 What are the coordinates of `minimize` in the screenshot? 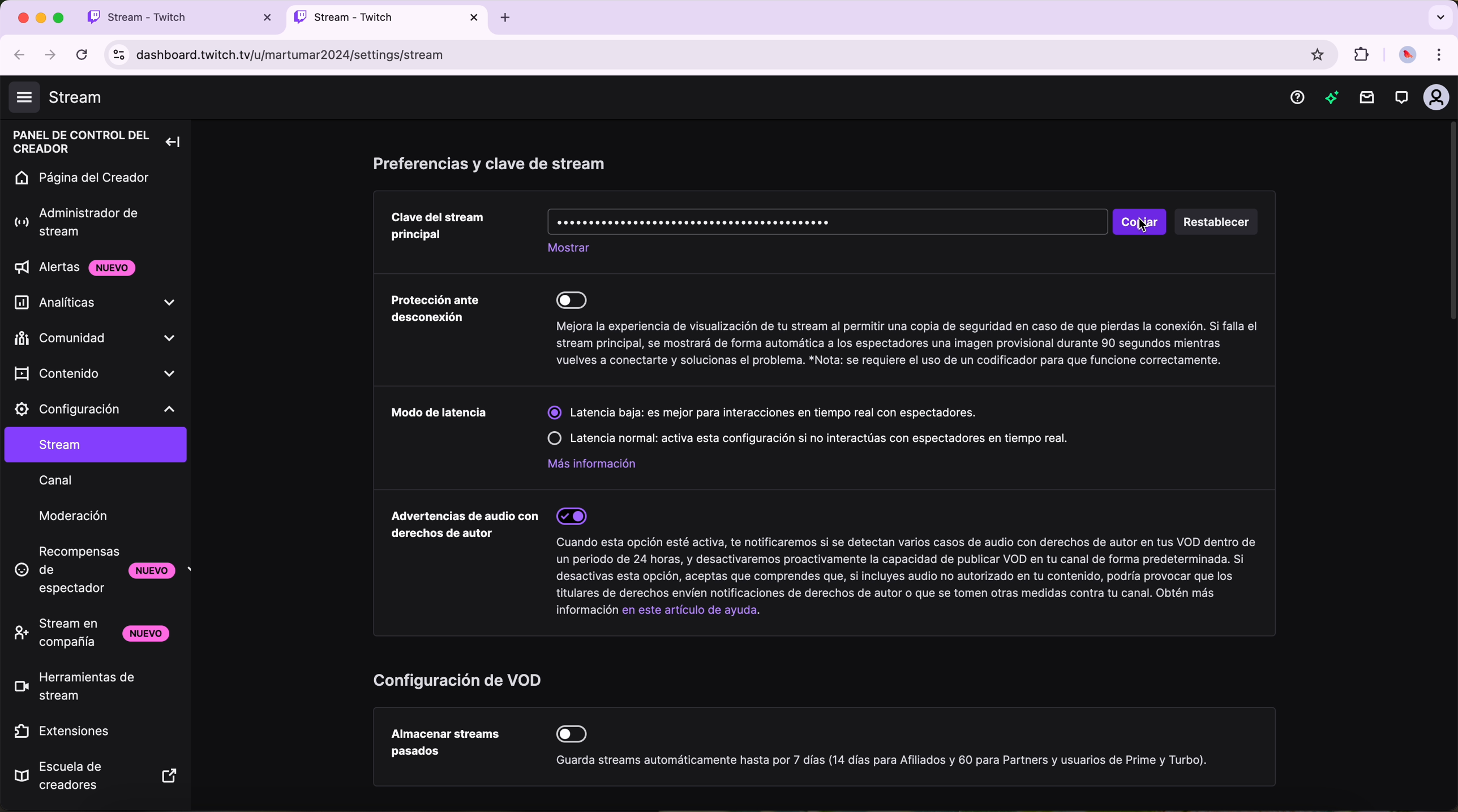 It's located at (43, 19).